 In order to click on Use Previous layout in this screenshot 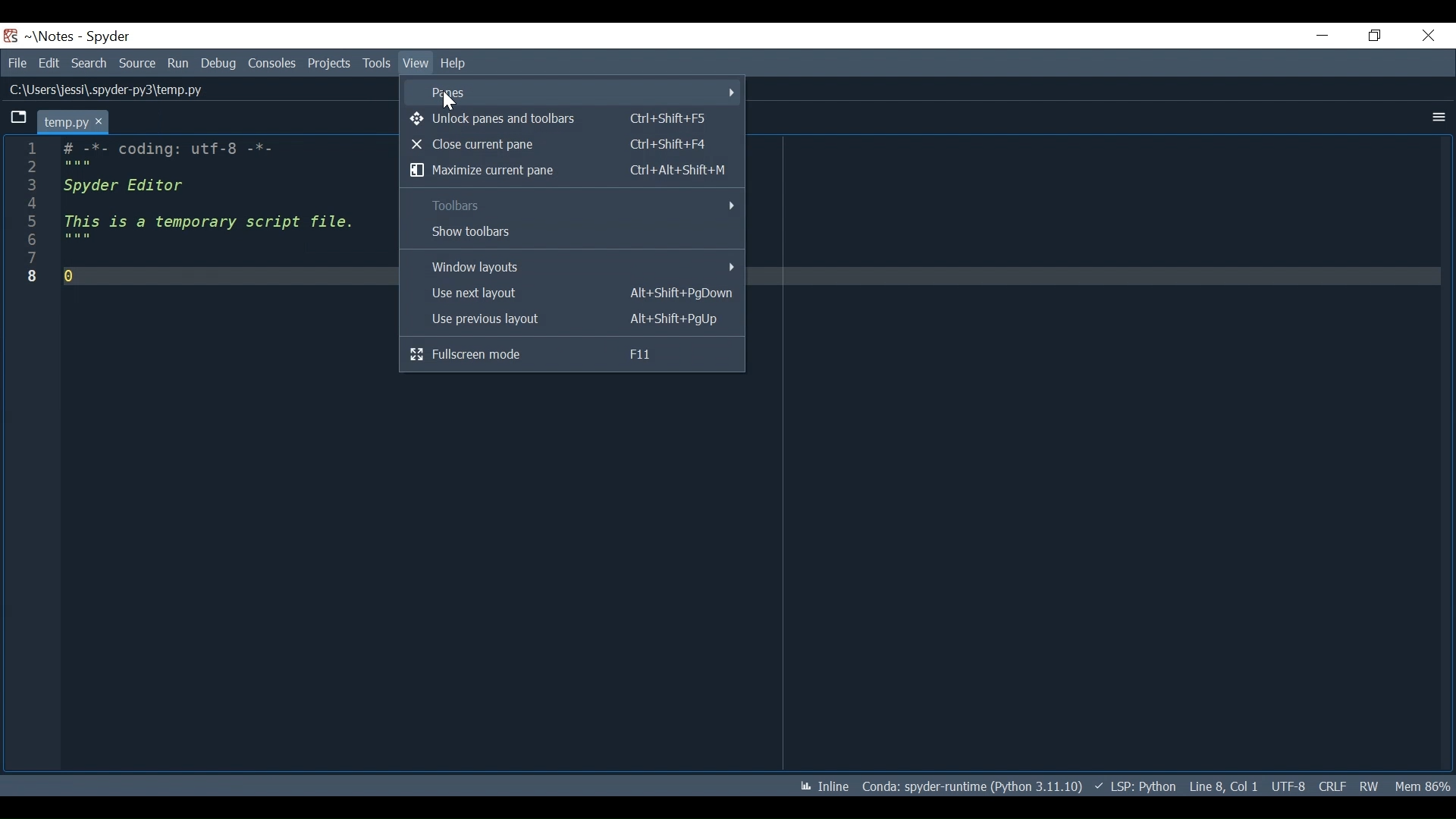, I will do `click(568, 319)`.